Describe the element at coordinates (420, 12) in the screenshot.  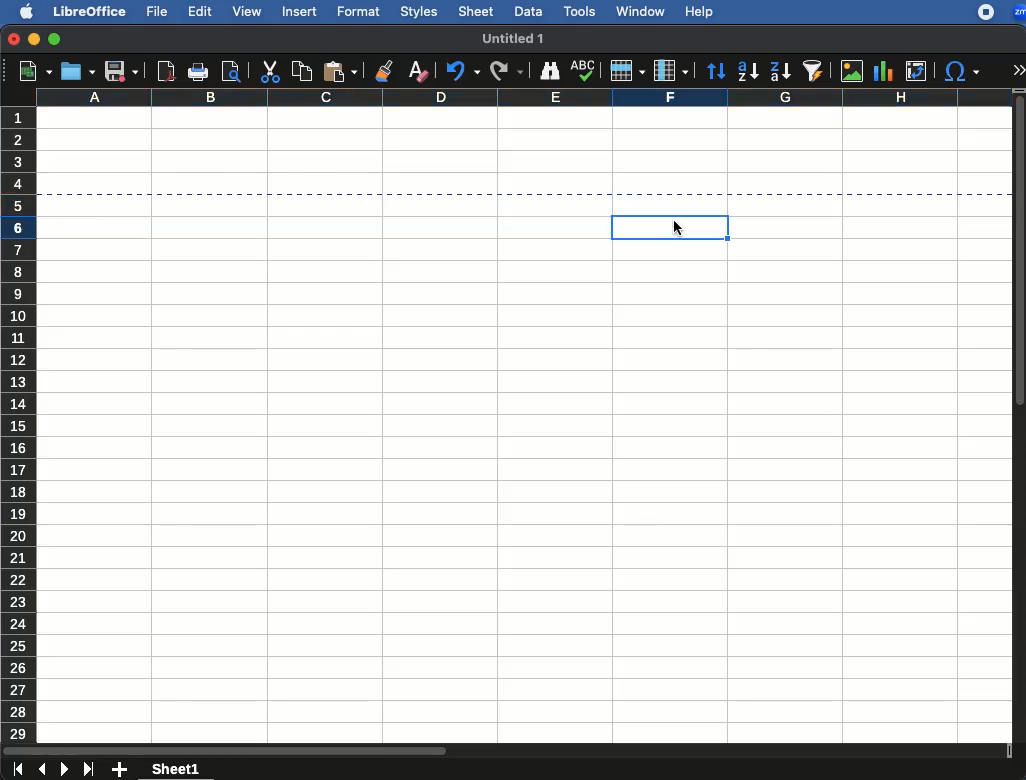
I see `styles` at that location.